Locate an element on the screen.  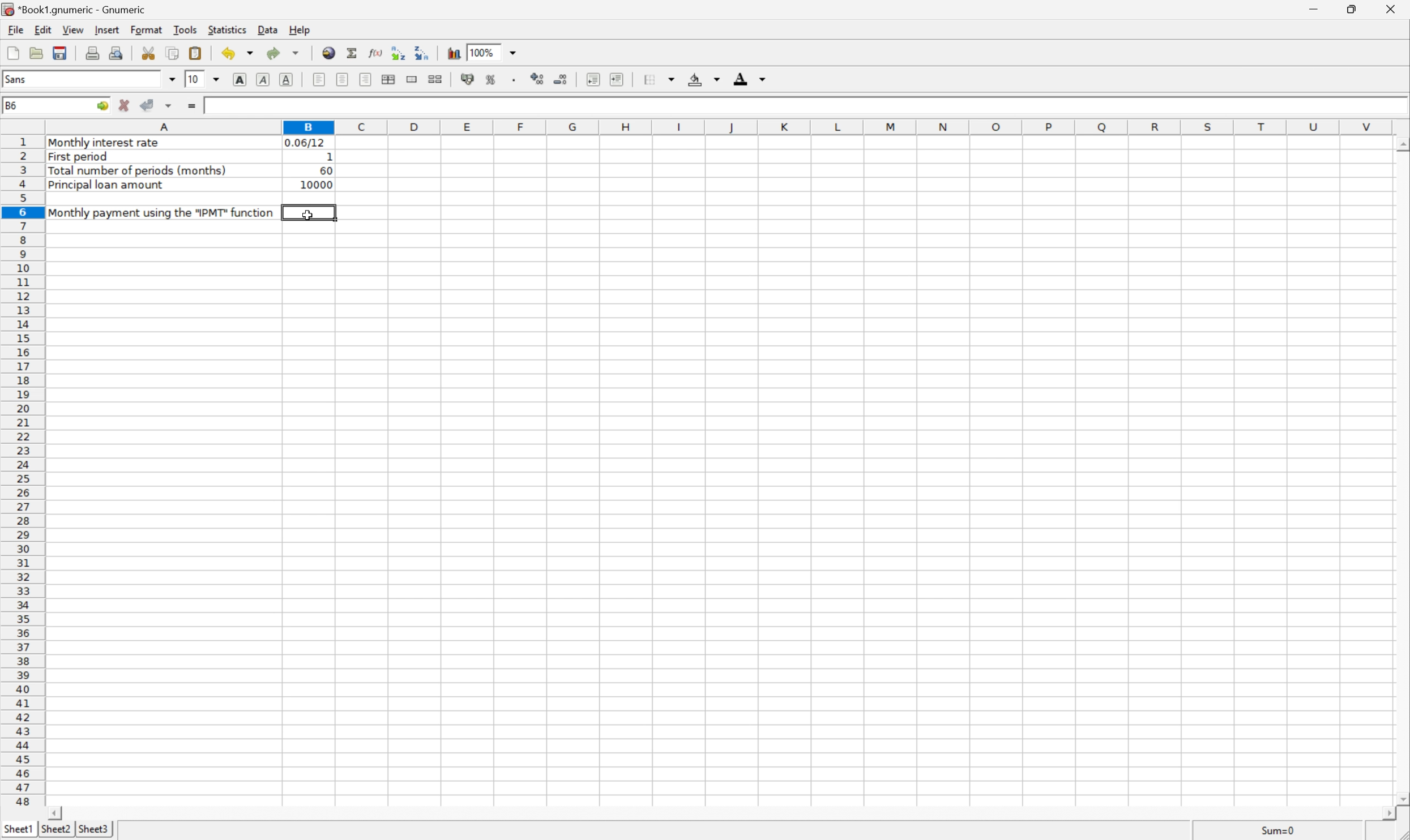
File is located at coordinates (15, 29).